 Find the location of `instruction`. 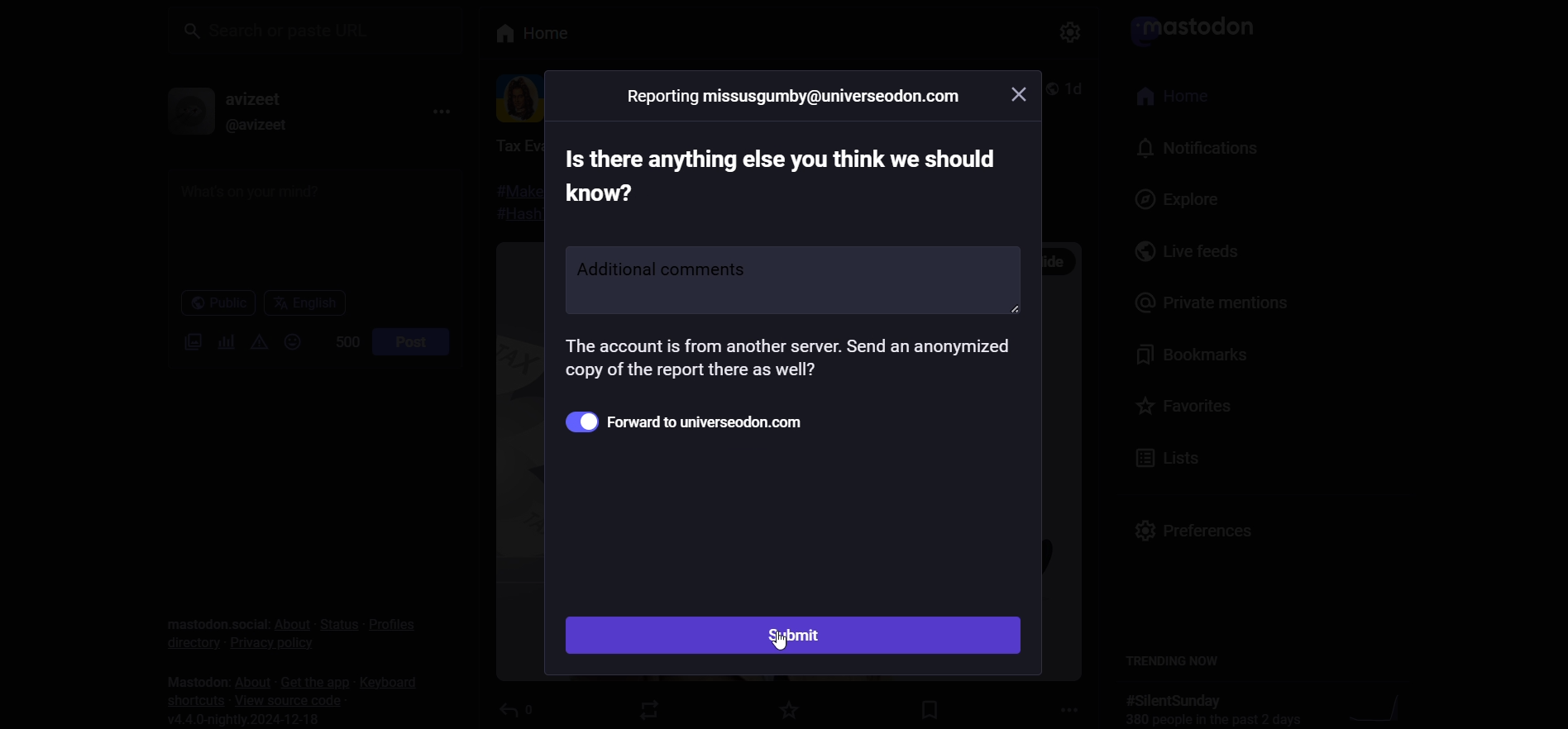

instruction is located at coordinates (786, 362).